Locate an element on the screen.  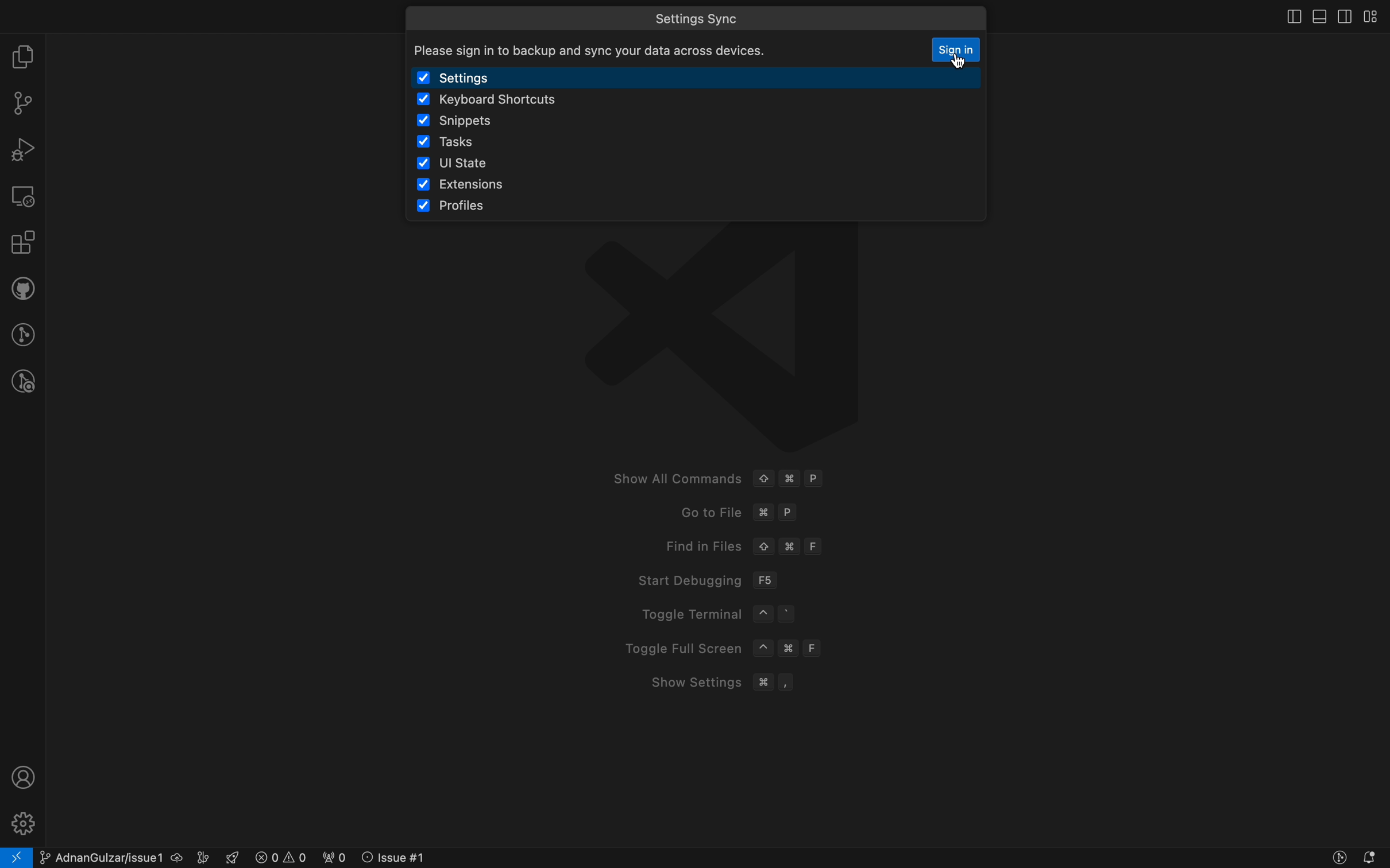
cursor is located at coordinates (962, 60).